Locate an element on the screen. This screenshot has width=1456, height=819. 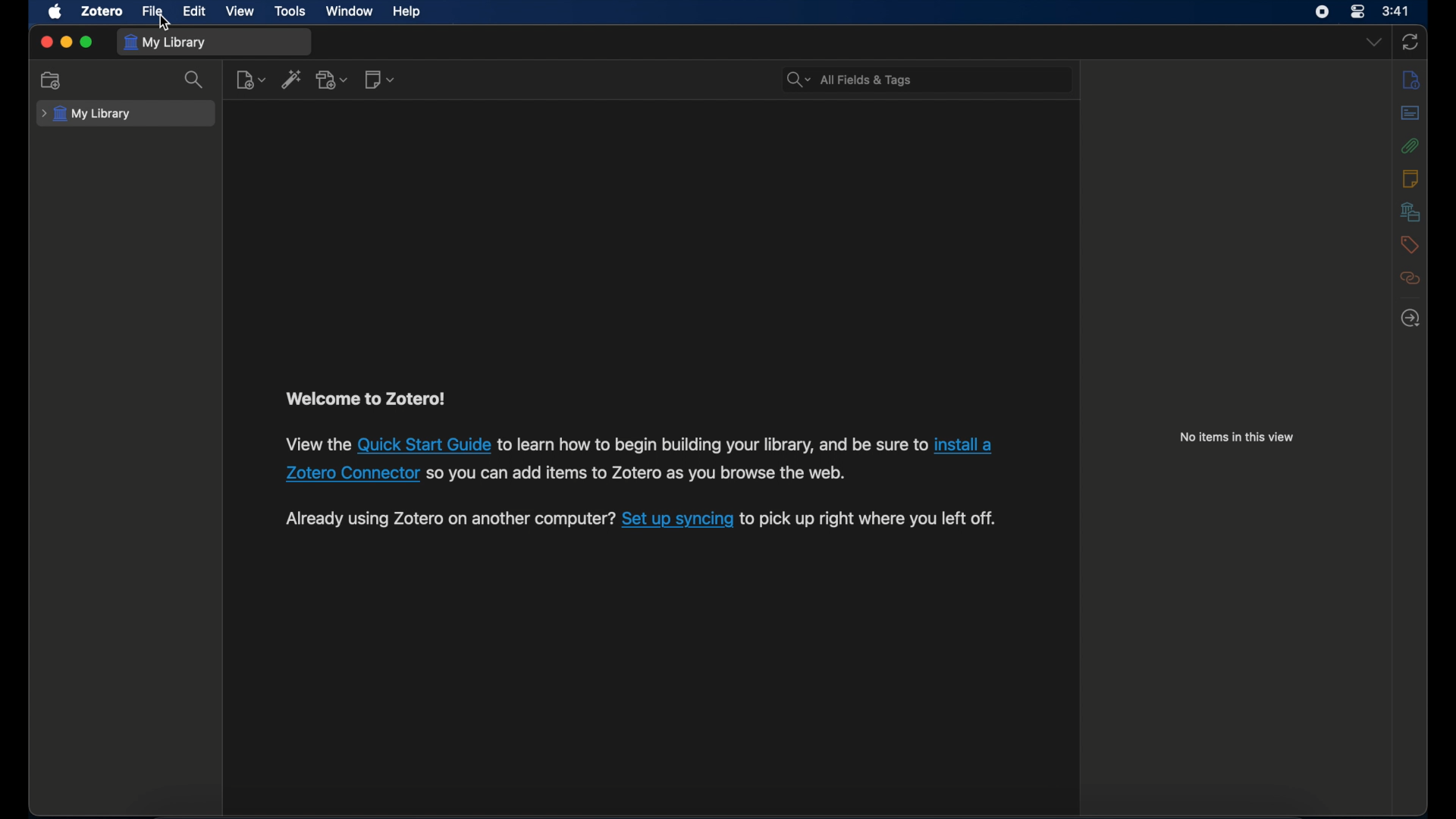
control center is located at coordinates (1357, 11).